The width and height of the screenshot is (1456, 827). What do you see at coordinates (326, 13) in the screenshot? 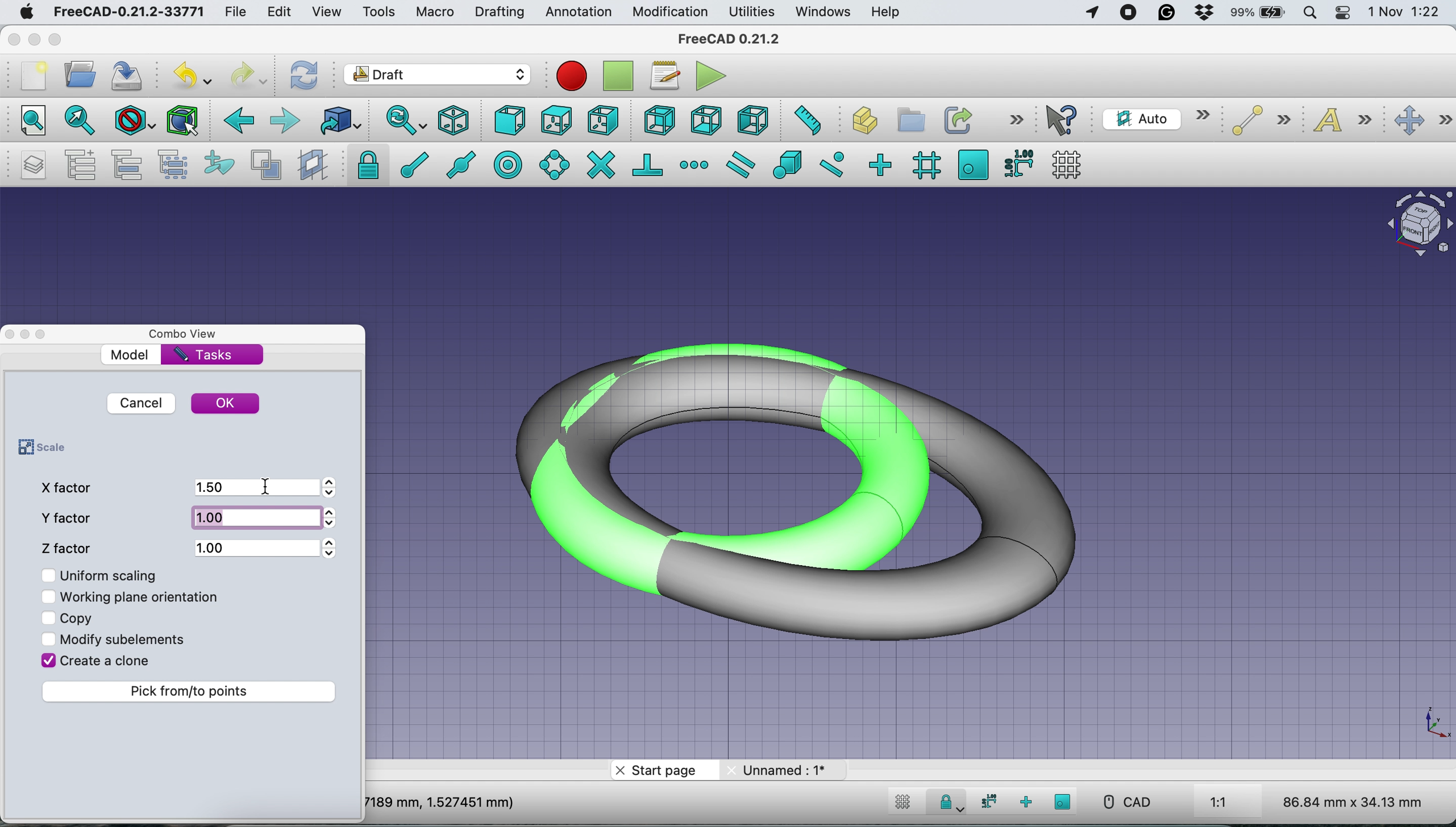
I see `view` at bounding box center [326, 13].